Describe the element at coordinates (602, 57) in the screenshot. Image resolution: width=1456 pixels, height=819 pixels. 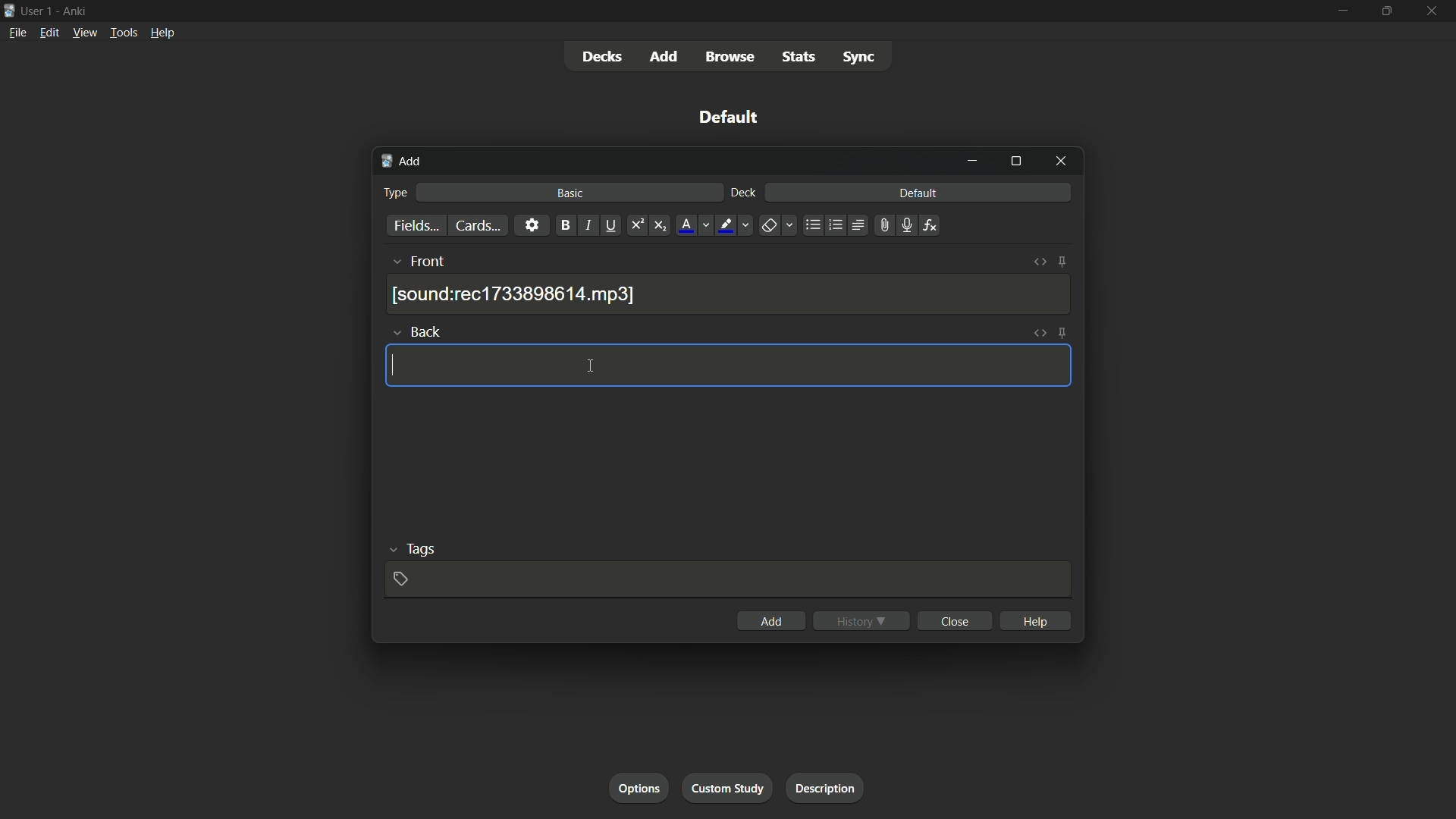
I see `decks` at that location.